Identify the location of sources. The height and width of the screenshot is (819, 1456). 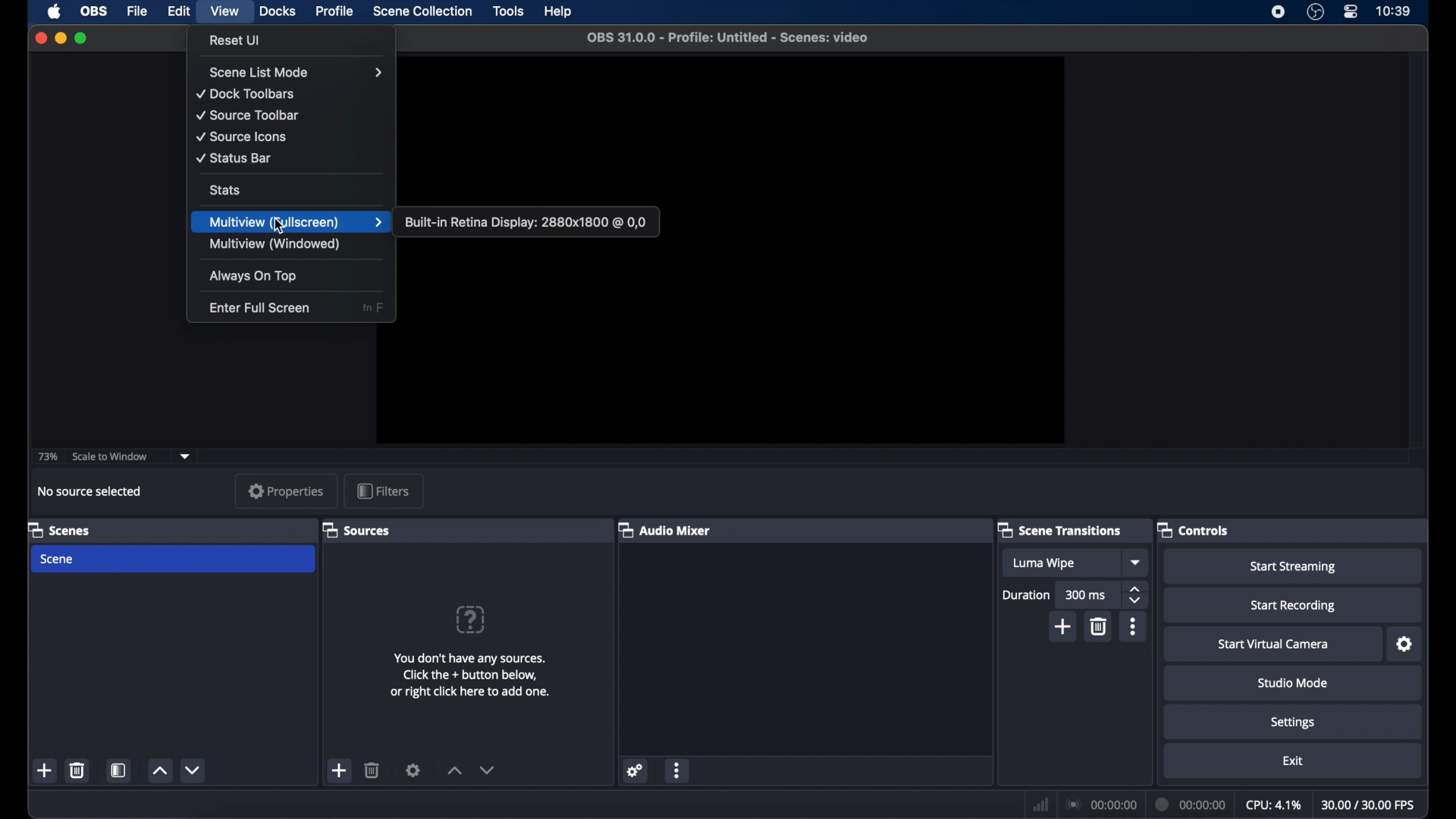
(356, 529).